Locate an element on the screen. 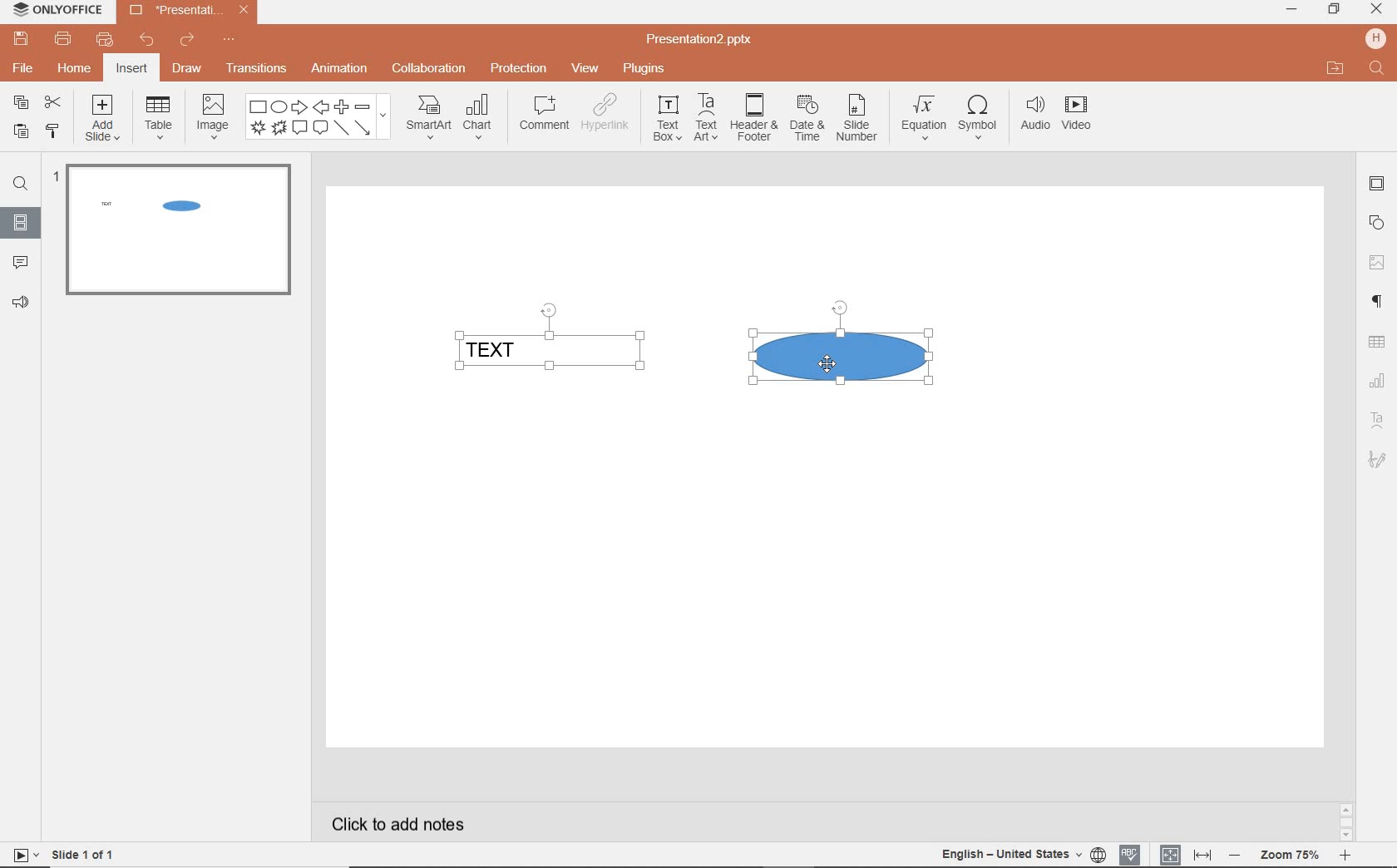 Image resolution: width=1397 pixels, height=868 pixels. textart is located at coordinates (704, 116).